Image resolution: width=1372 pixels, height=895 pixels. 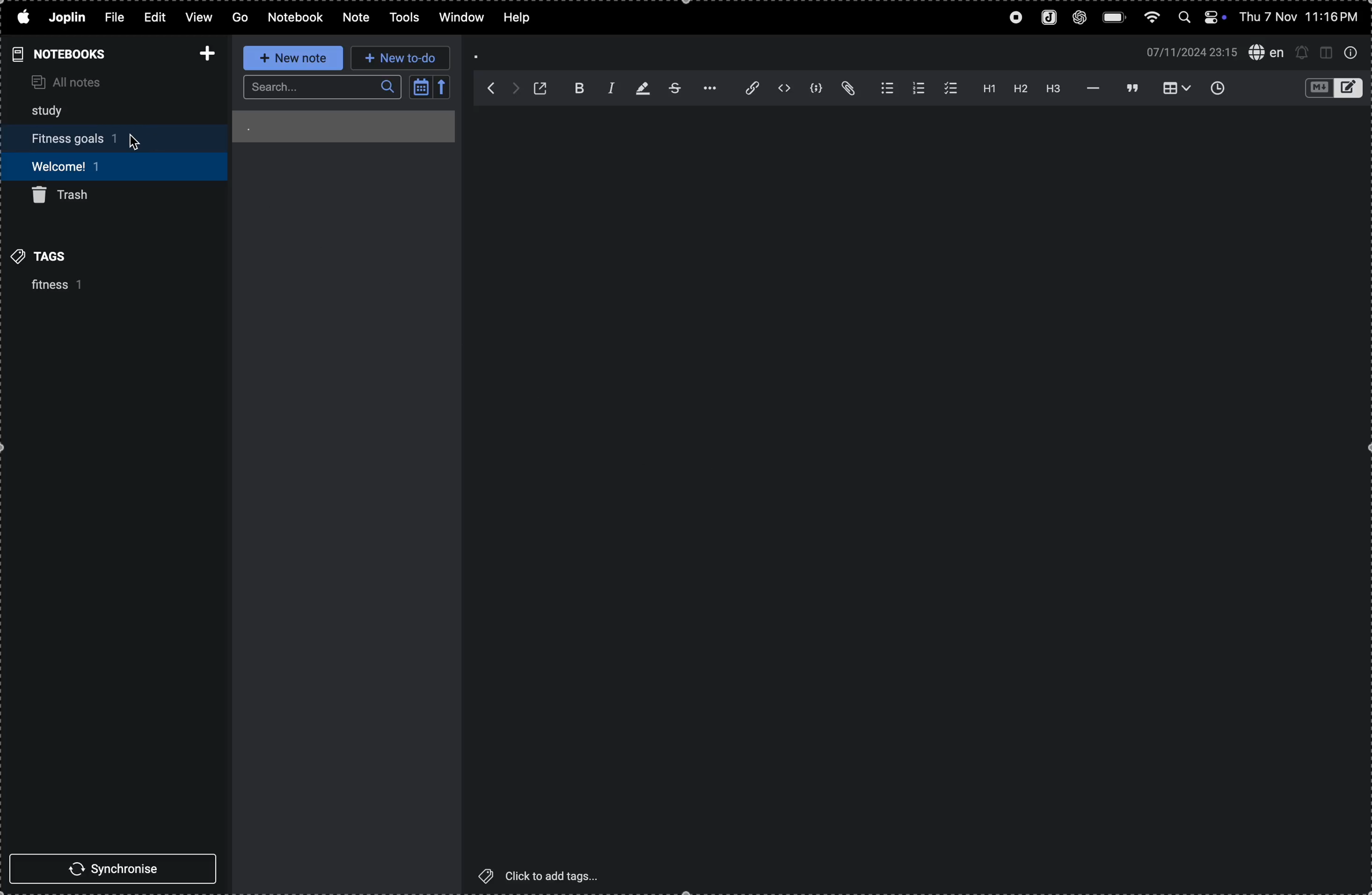 What do you see at coordinates (745, 88) in the screenshot?
I see `insert edit link` at bounding box center [745, 88].